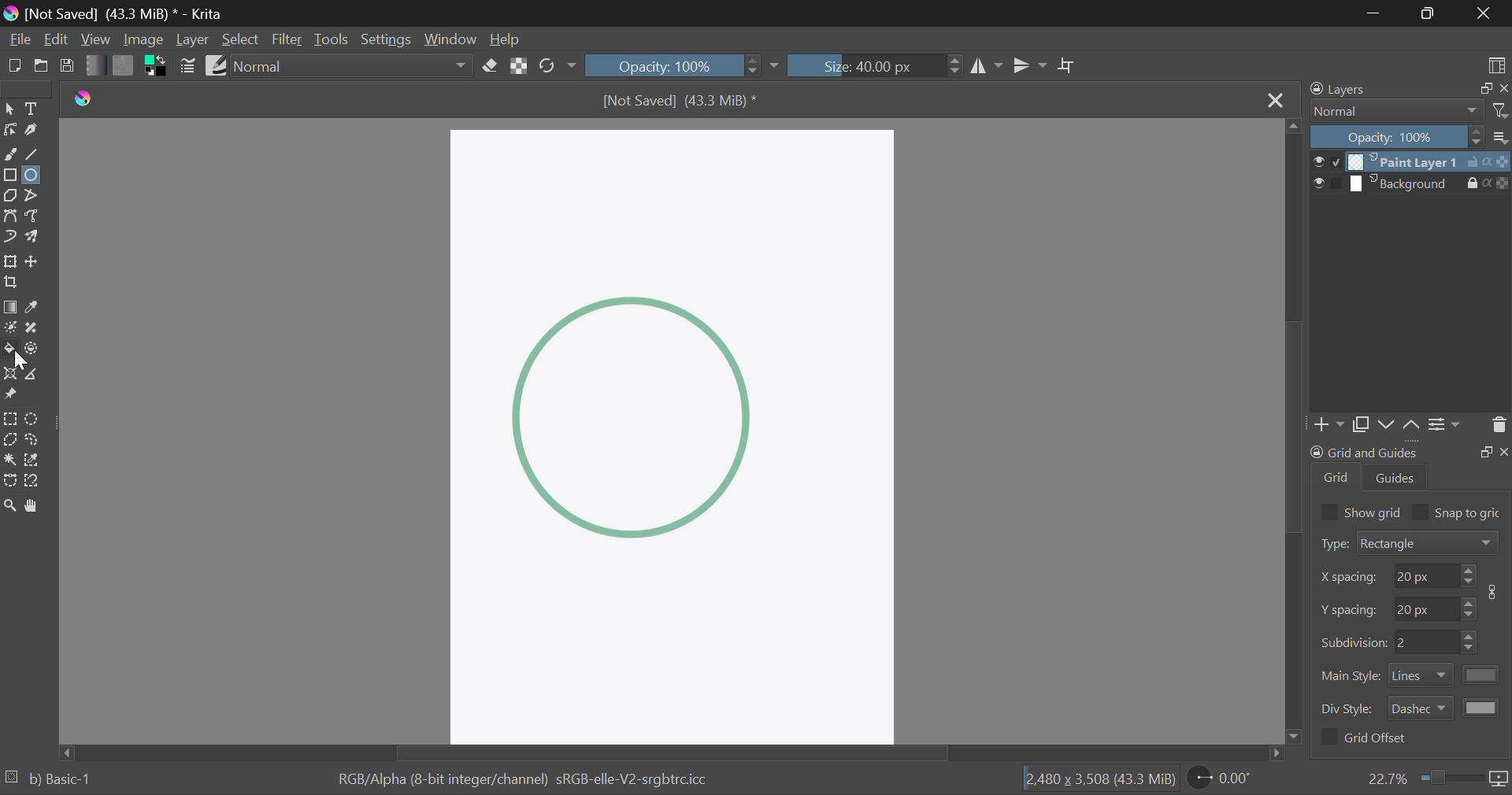 This screenshot has width=1512, height=795. I want to click on loading, so click(13, 775).